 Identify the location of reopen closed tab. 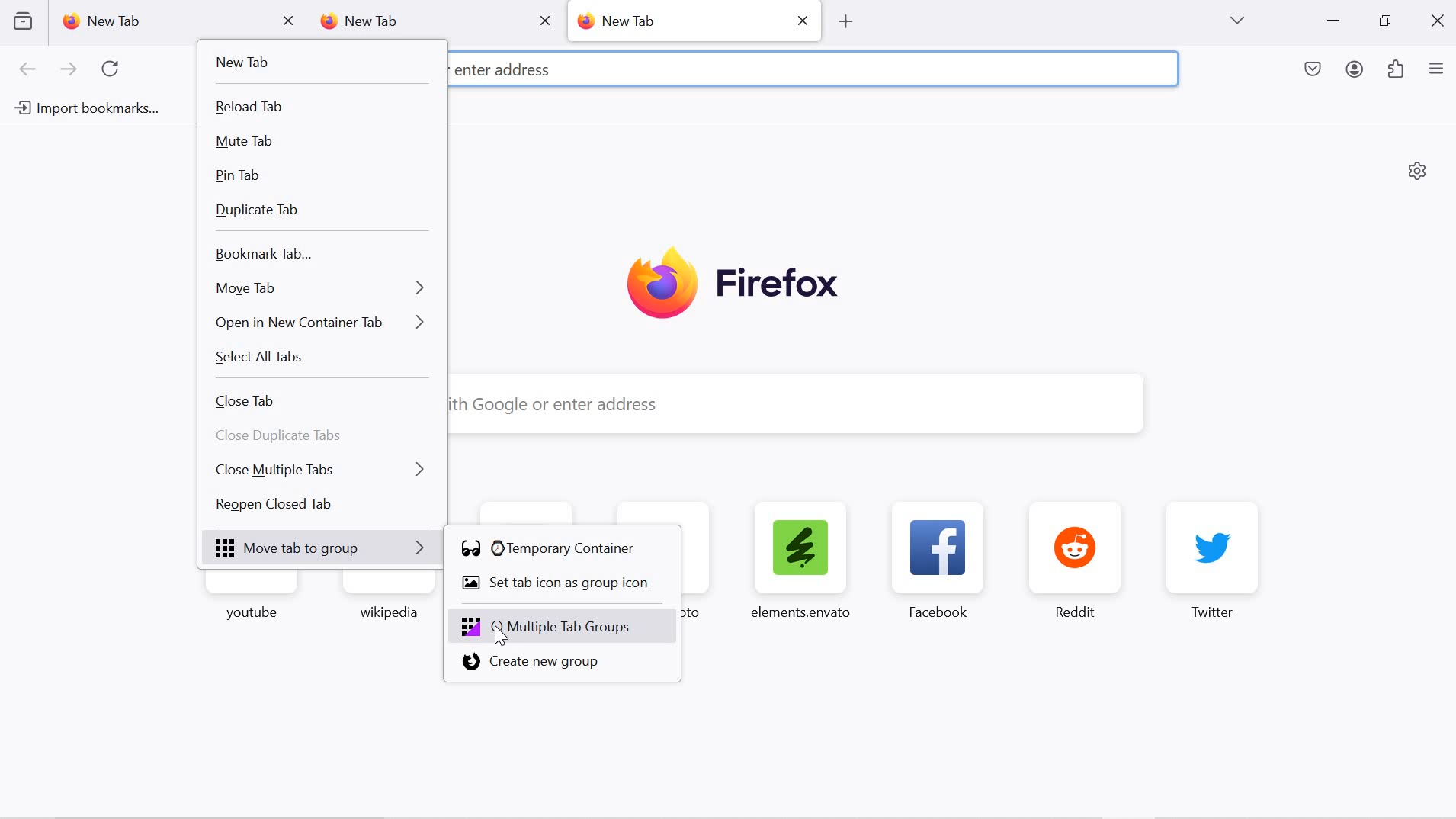
(324, 507).